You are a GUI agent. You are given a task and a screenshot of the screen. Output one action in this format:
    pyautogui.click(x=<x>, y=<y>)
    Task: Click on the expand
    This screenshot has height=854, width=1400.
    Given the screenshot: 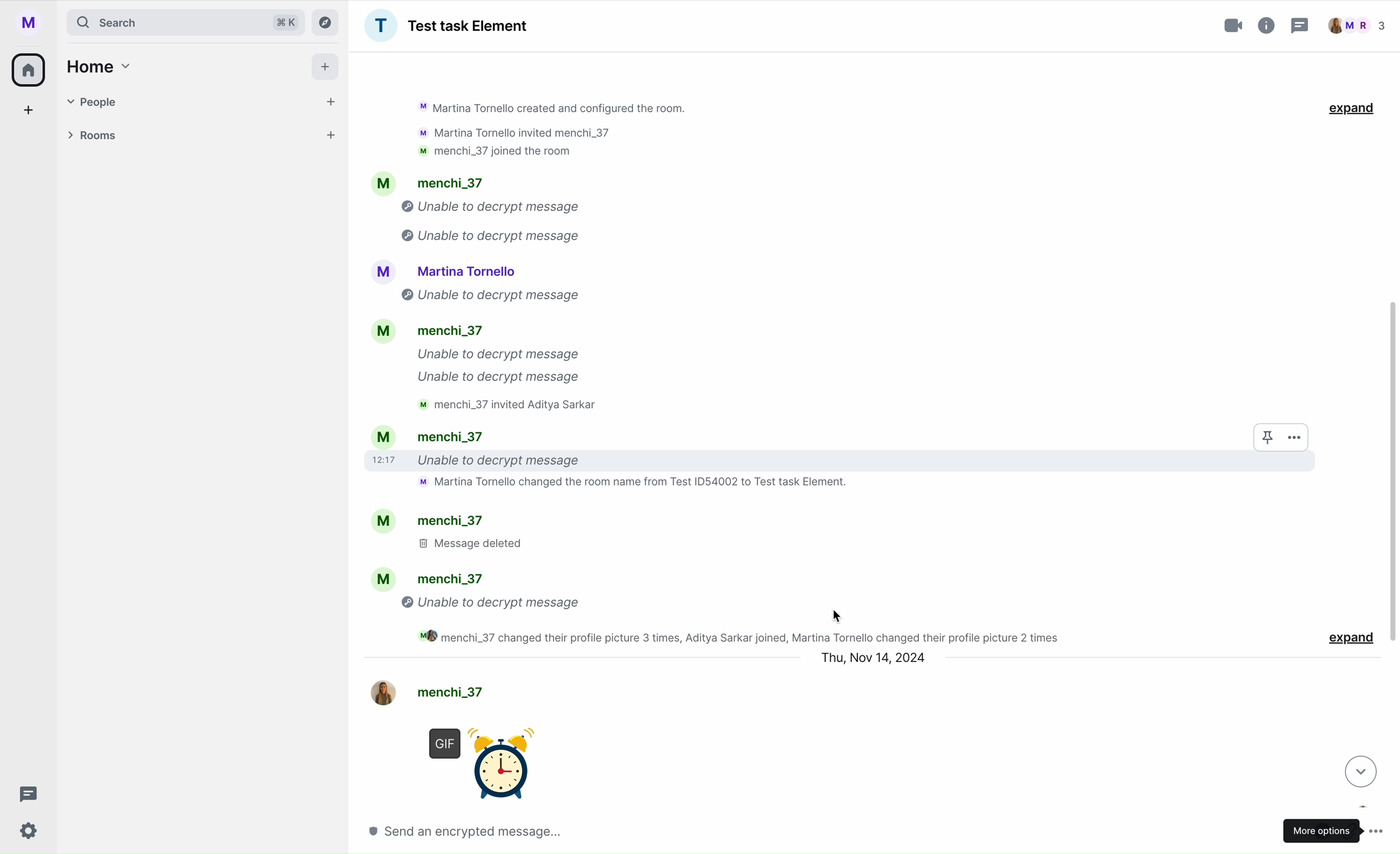 What is the action you would take?
    pyautogui.click(x=1349, y=639)
    